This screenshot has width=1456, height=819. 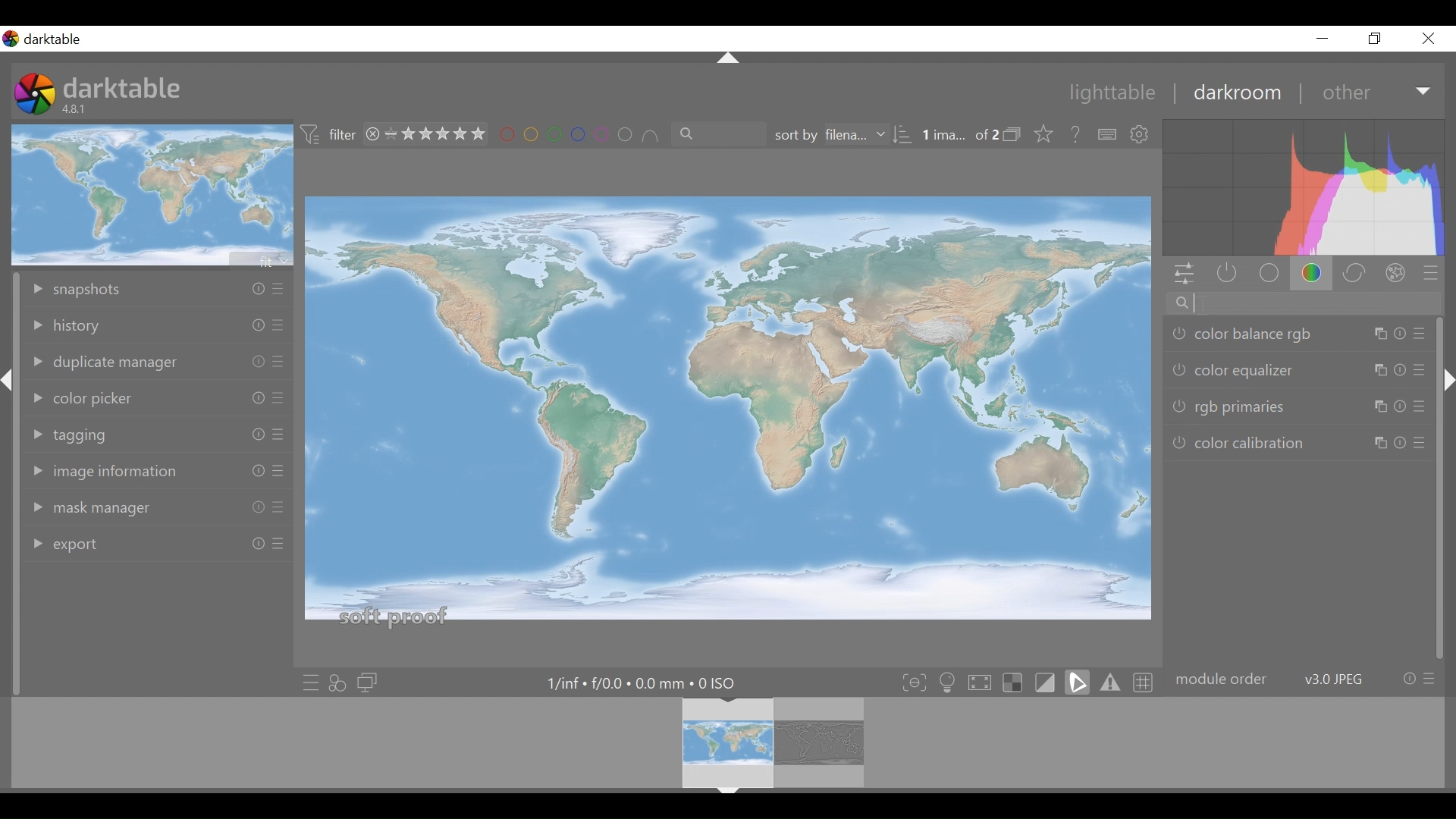 I want to click on display a second darkroom image window, so click(x=370, y=682).